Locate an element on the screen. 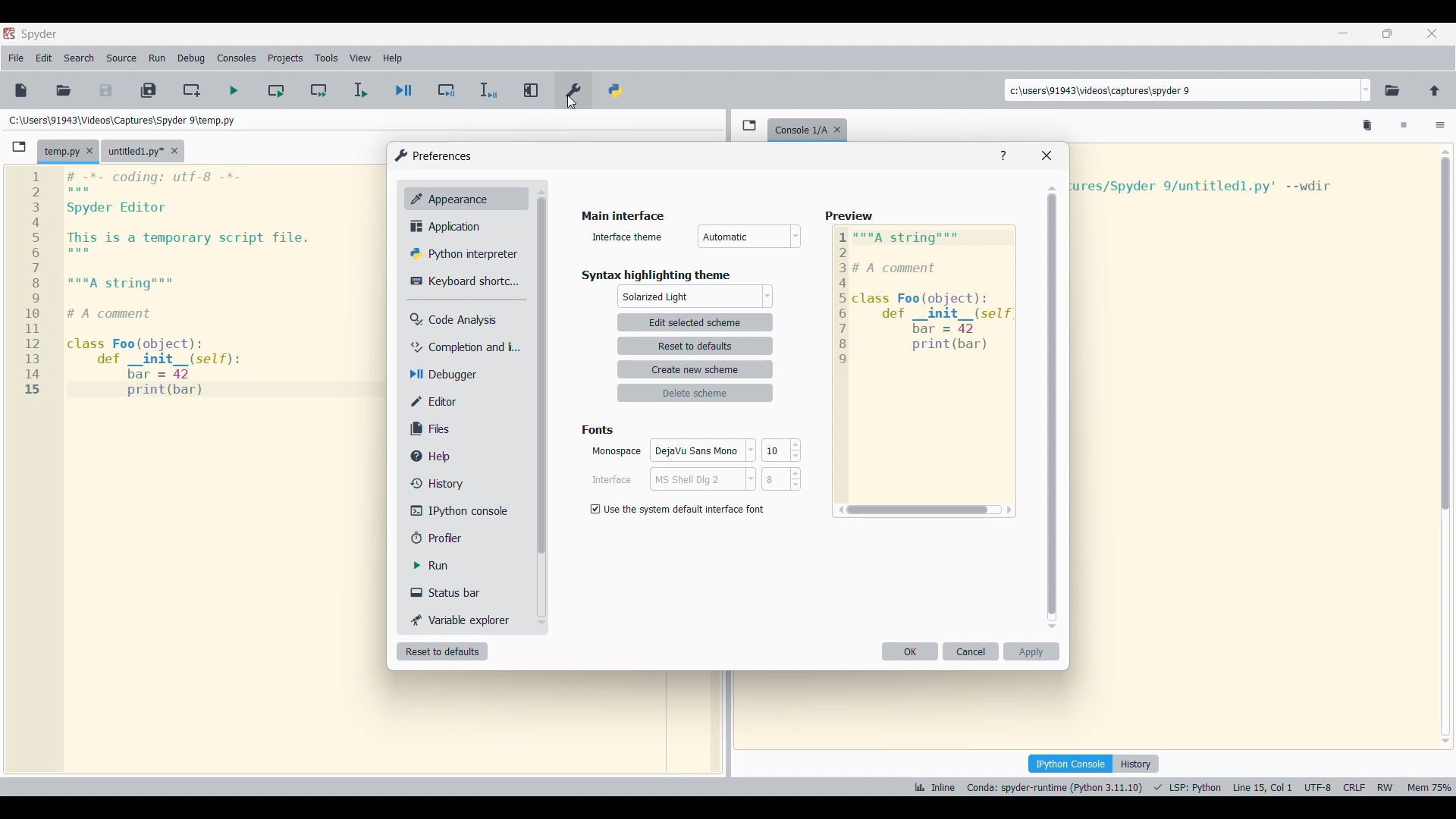  Theme settings is located at coordinates (695, 358).